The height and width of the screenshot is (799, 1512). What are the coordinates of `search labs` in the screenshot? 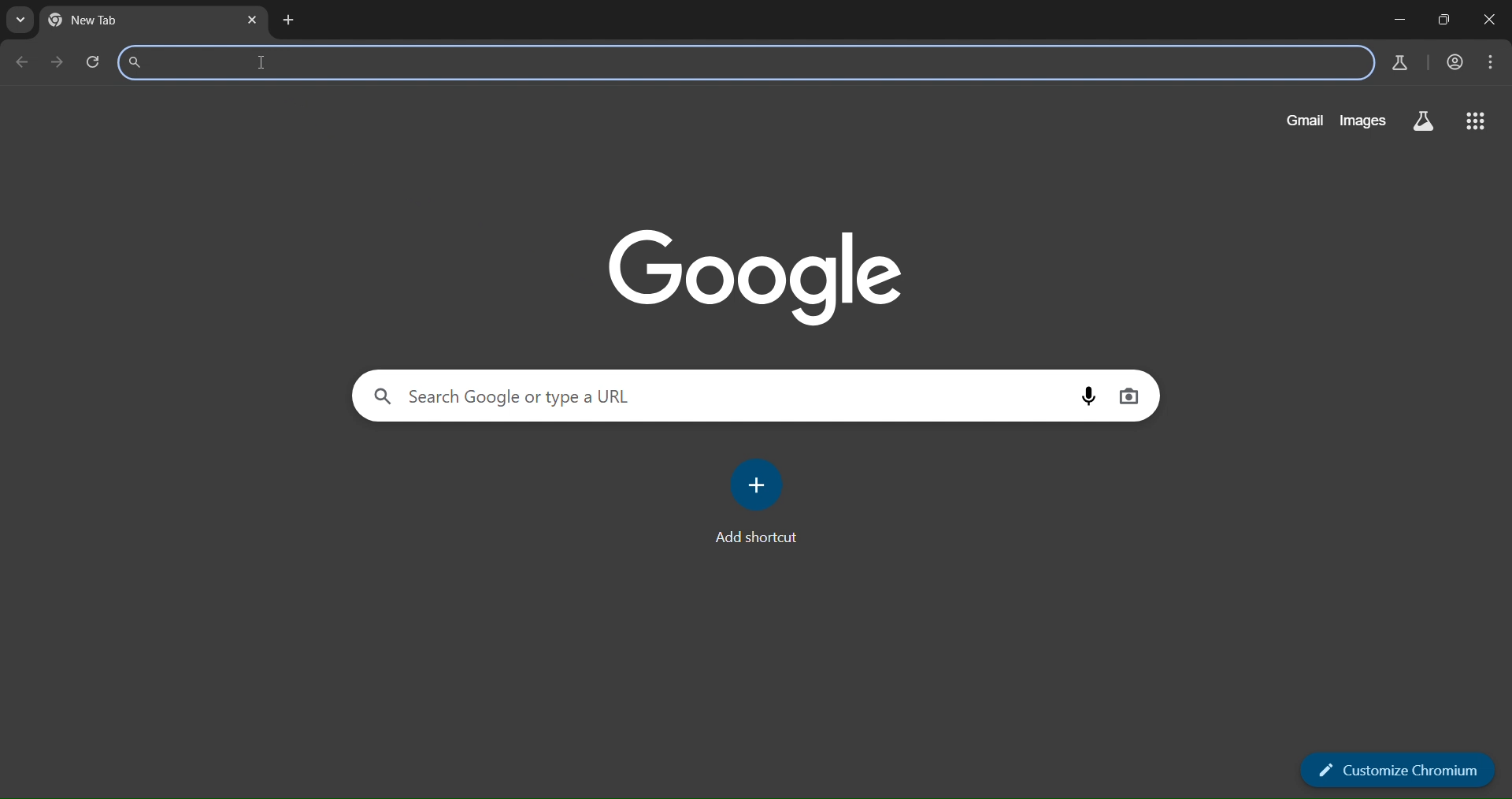 It's located at (1395, 63).